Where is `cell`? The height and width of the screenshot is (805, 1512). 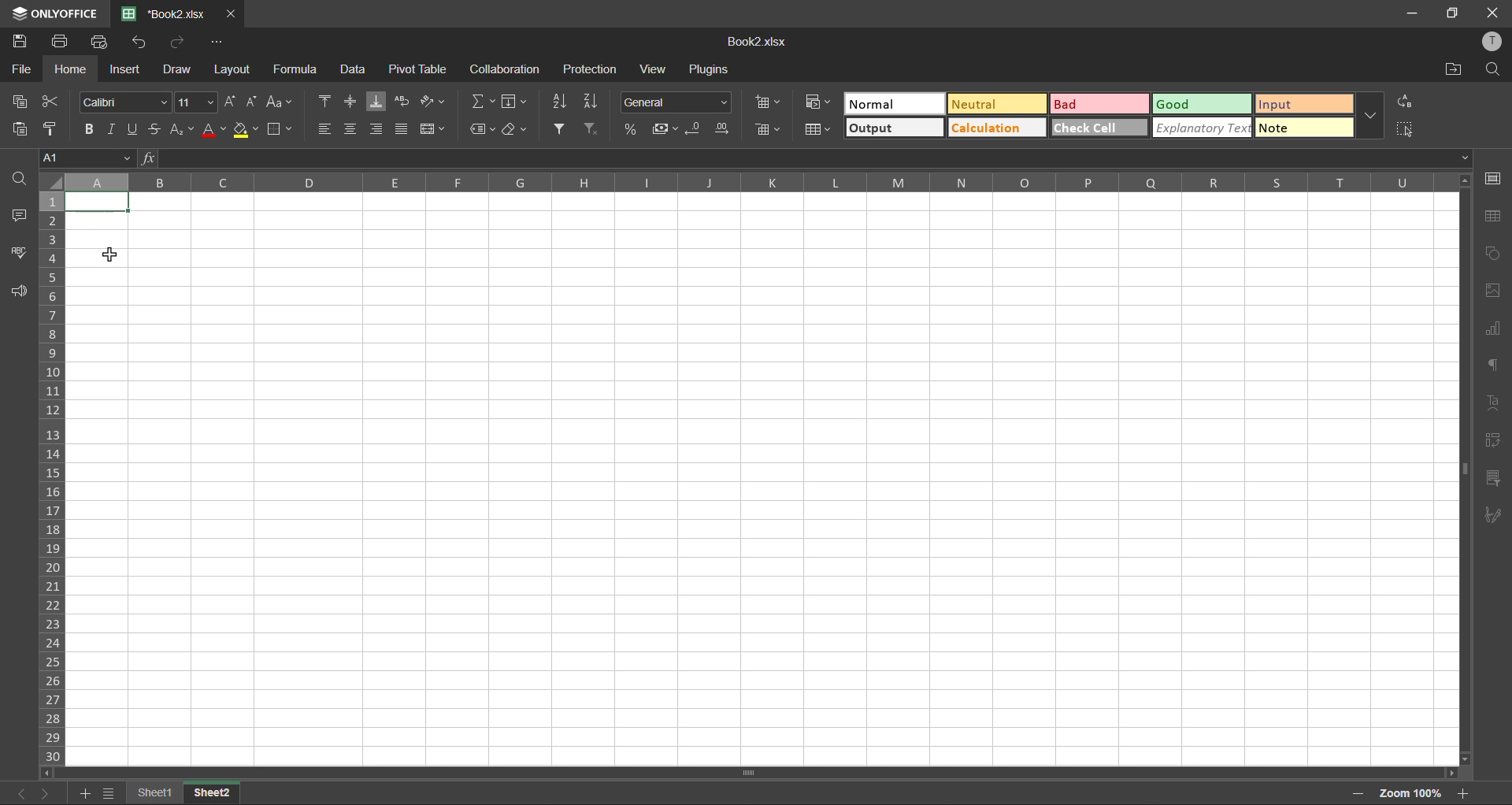
cell is located at coordinates (101, 202).